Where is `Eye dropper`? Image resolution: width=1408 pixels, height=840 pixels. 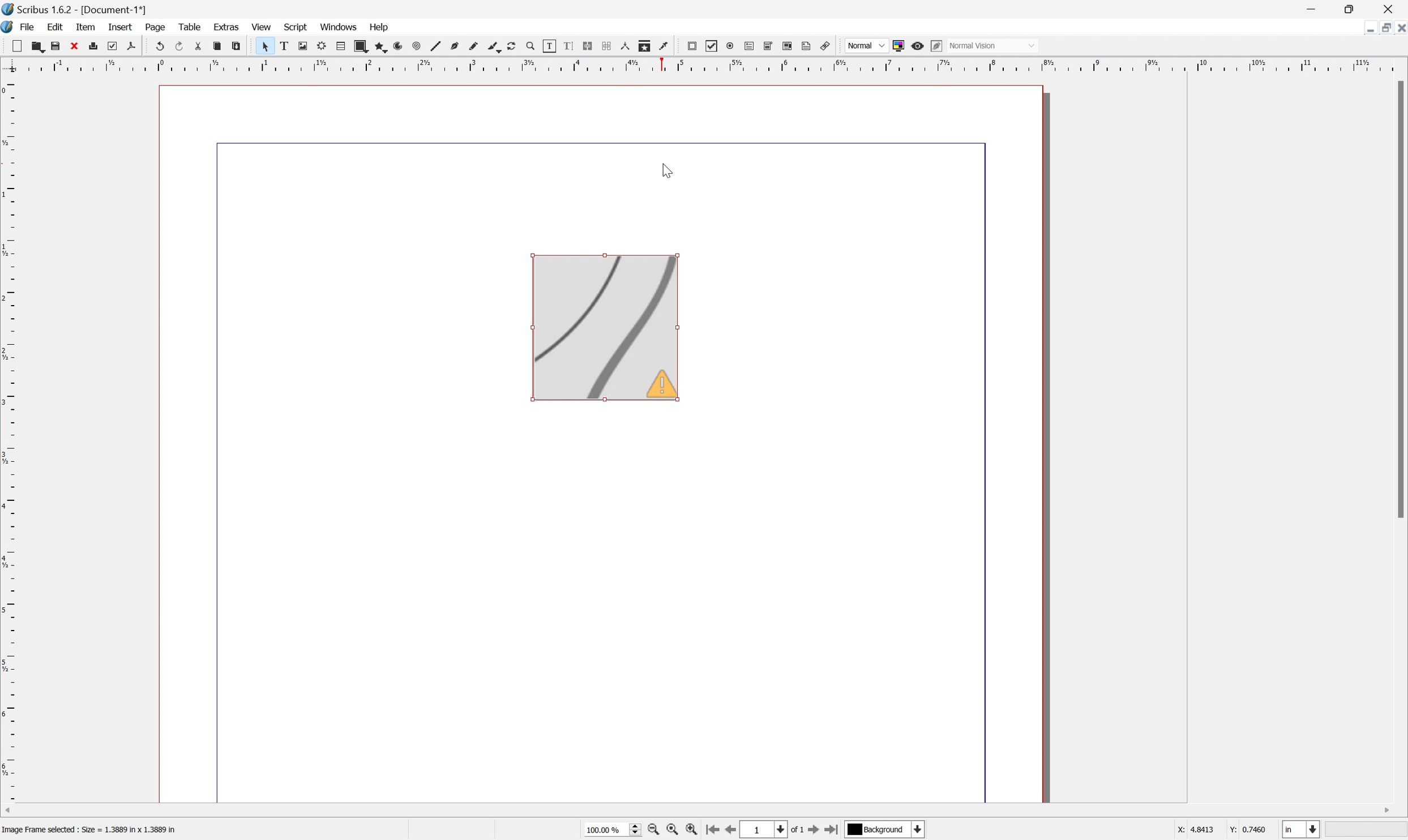 Eye dropper is located at coordinates (667, 46).